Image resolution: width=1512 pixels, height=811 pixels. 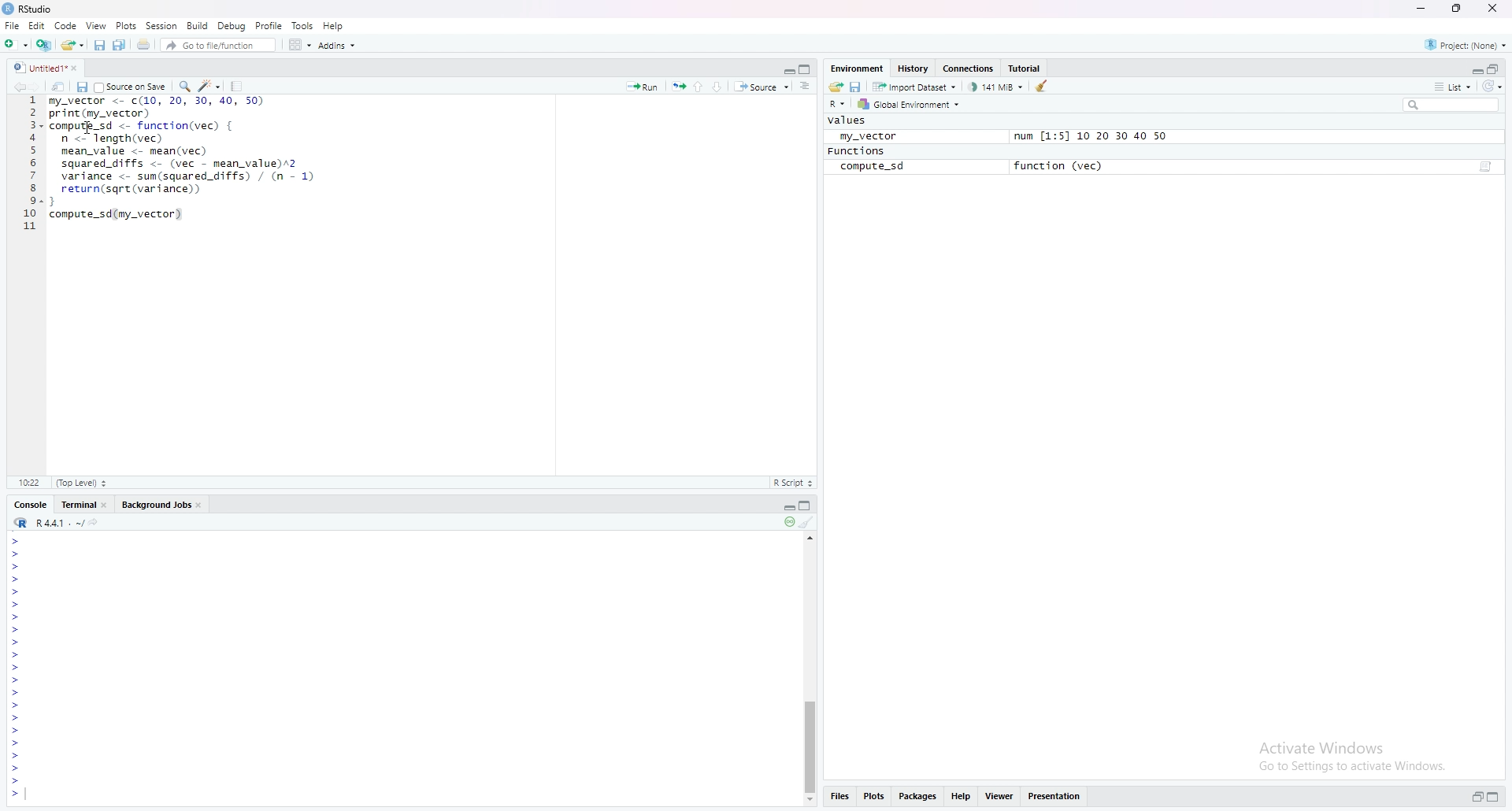 I want to click on Prompt cursor, so click(x=17, y=566).